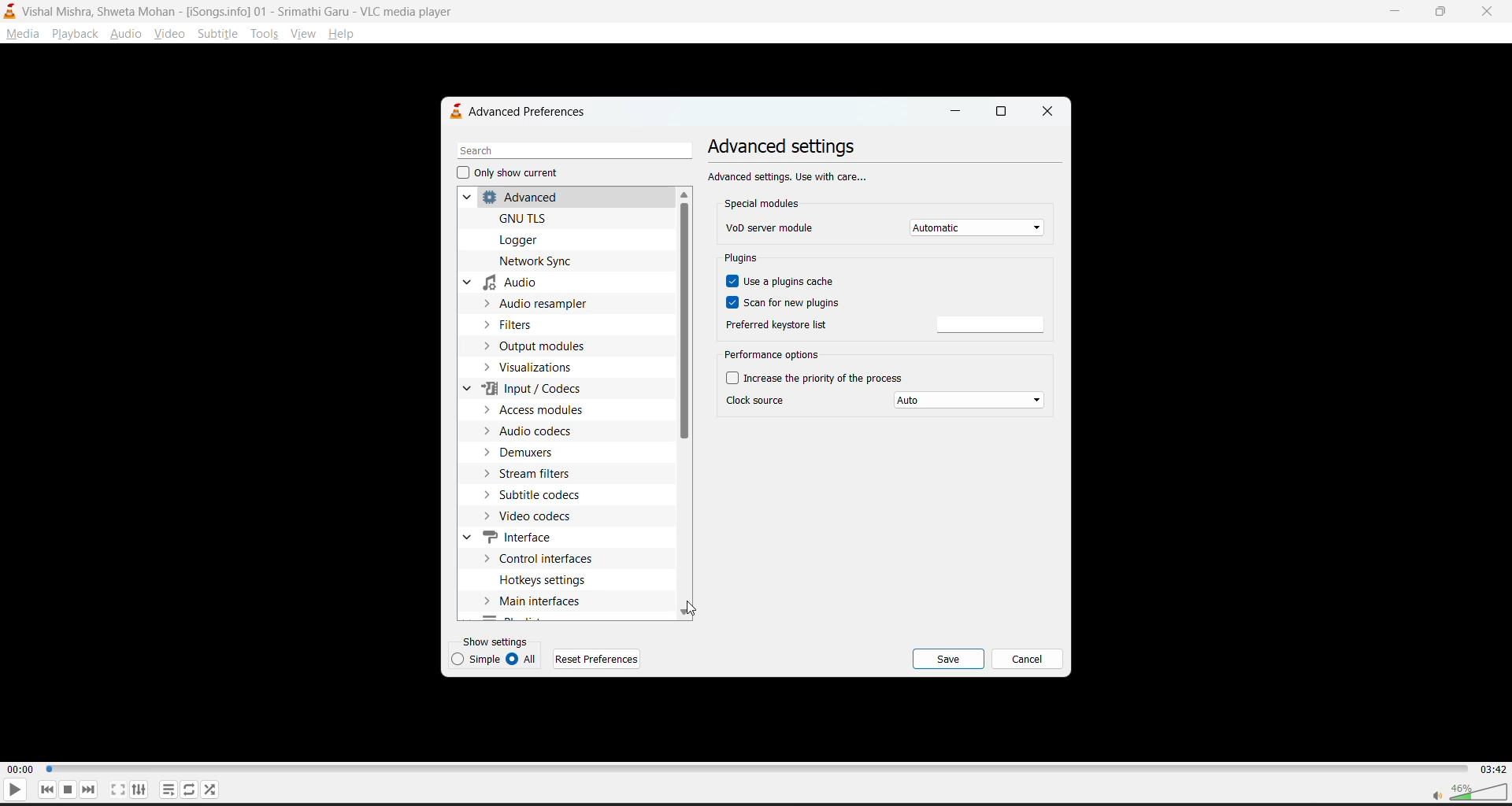  Describe the element at coordinates (544, 560) in the screenshot. I see `control interfaces` at that location.